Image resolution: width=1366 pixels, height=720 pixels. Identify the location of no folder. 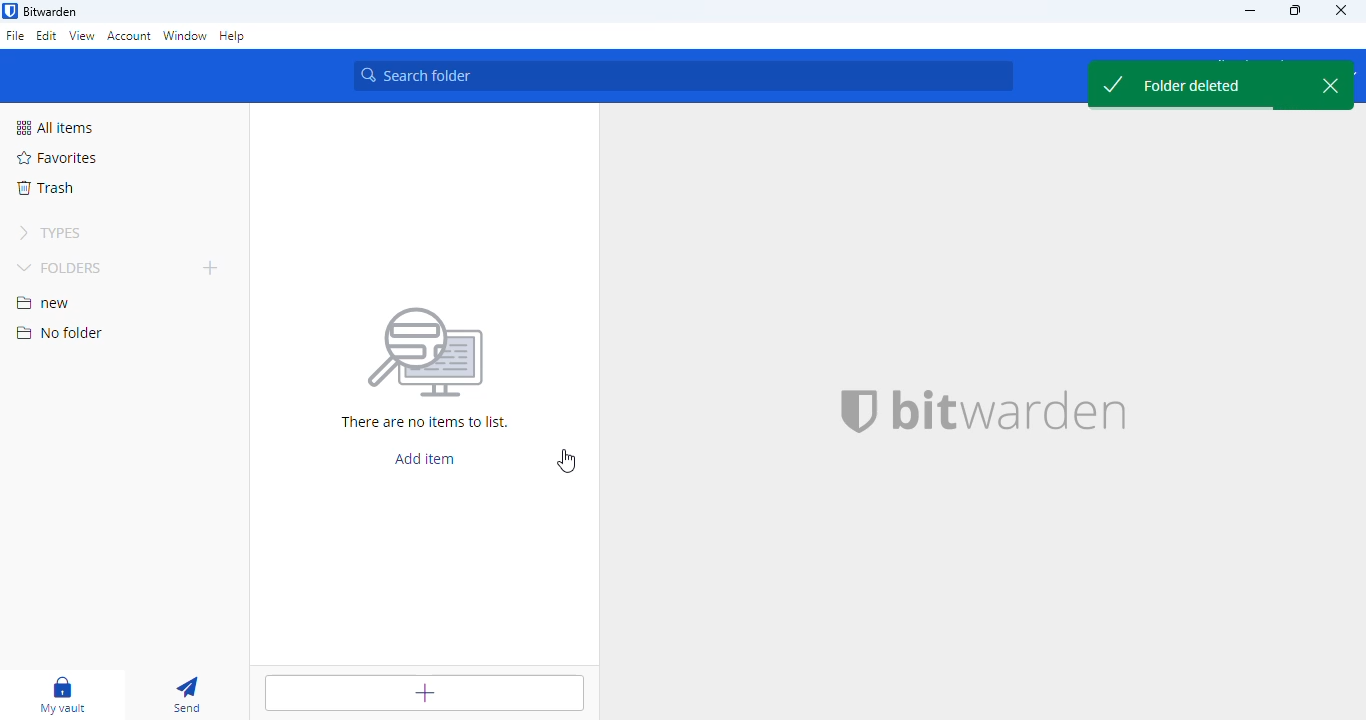
(58, 335).